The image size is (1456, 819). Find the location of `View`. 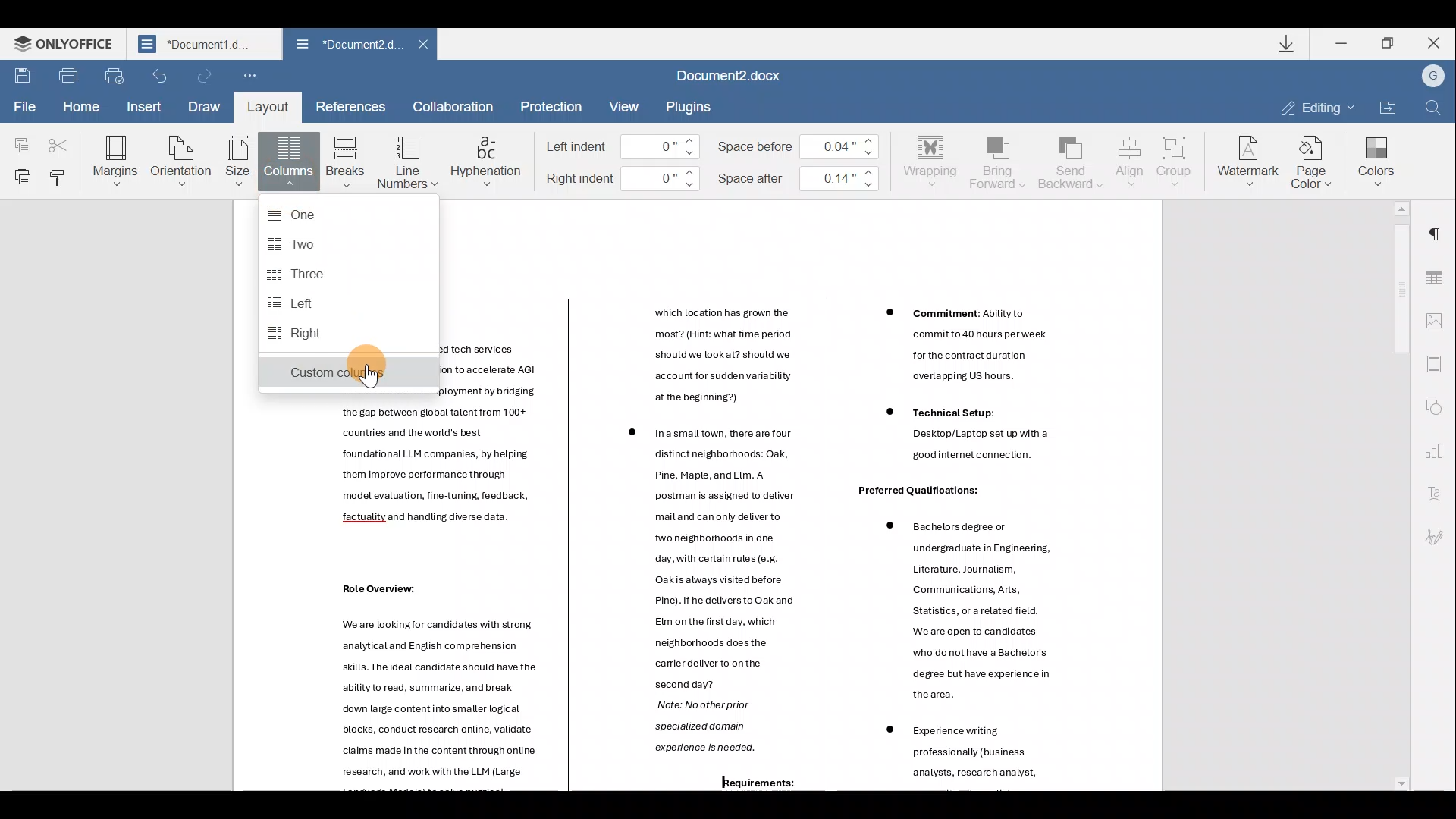

View is located at coordinates (625, 106).